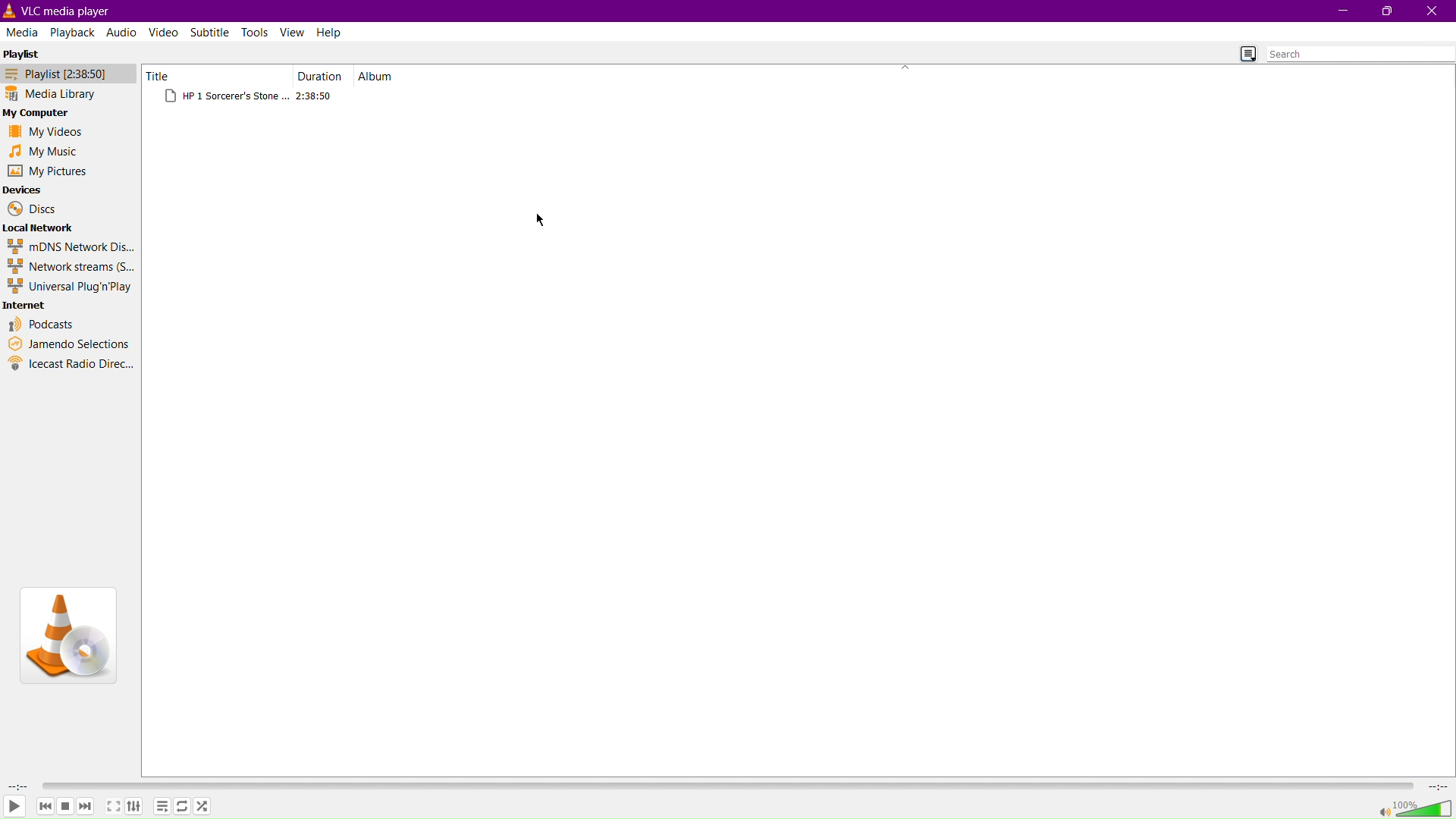 Image resolution: width=1456 pixels, height=819 pixels. Describe the element at coordinates (27, 306) in the screenshot. I see `Internet` at that location.